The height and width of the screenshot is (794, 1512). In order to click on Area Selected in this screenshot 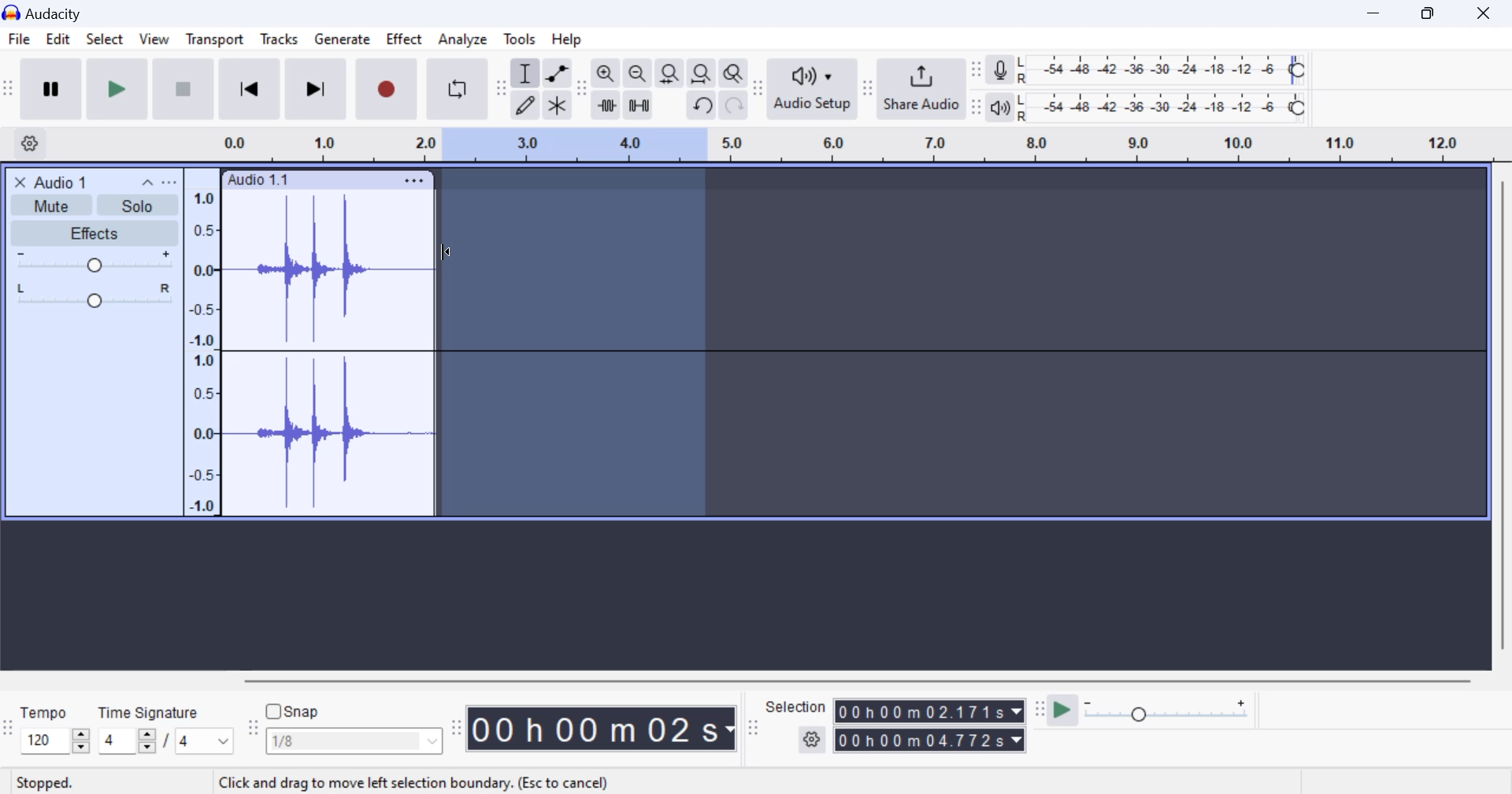, I will do `click(573, 345)`.